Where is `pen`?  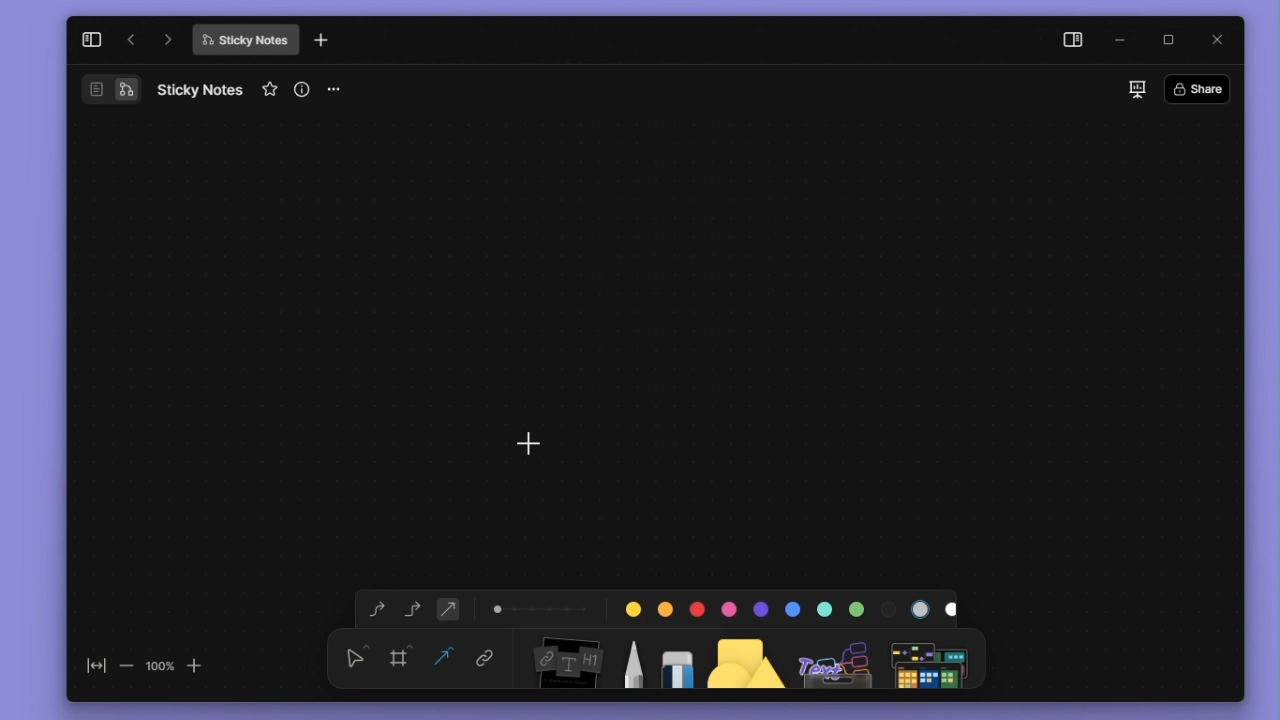 pen is located at coordinates (632, 657).